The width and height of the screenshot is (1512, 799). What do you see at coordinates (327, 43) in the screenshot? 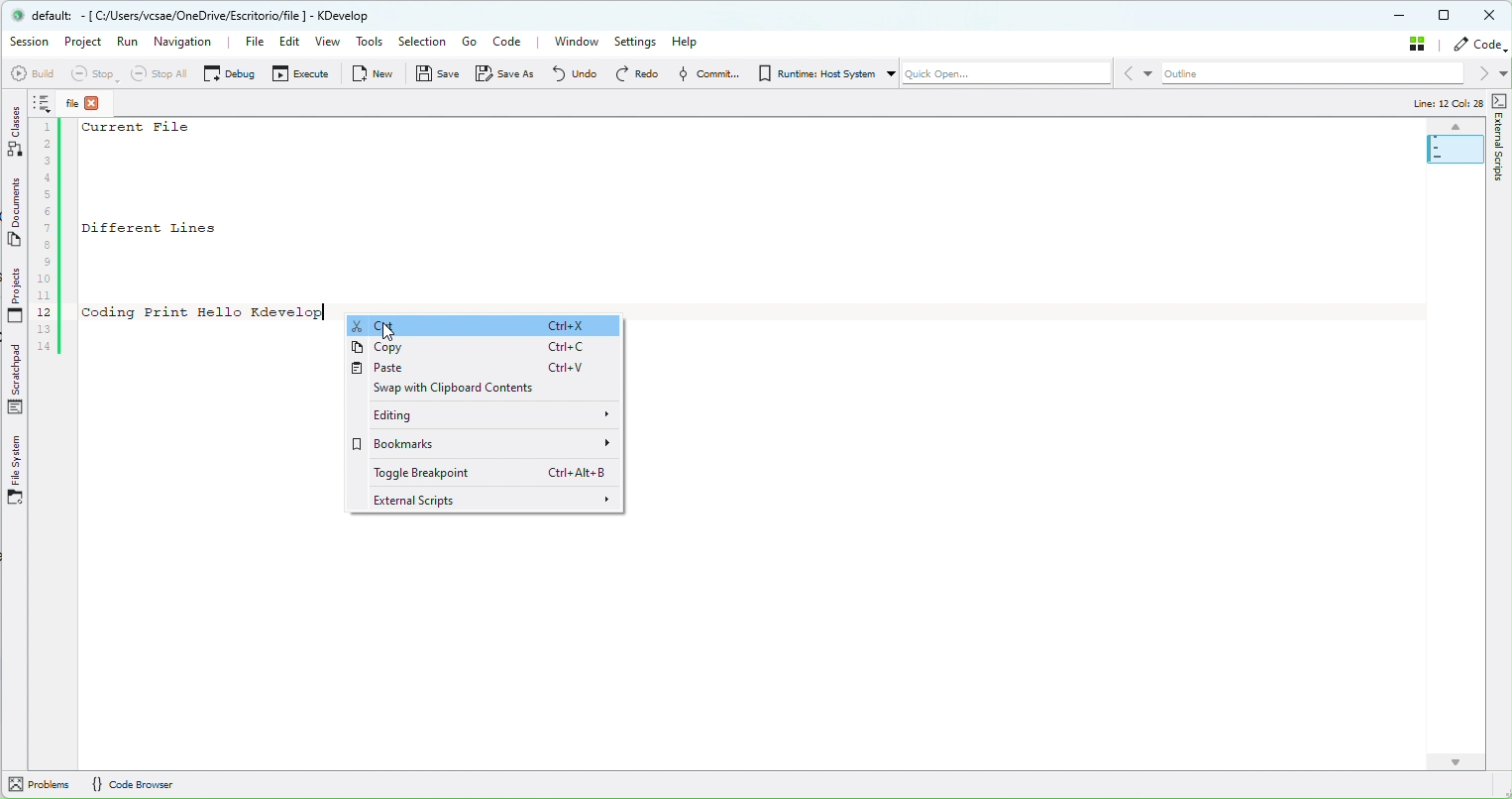
I see `View` at bounding box center [327, 43].